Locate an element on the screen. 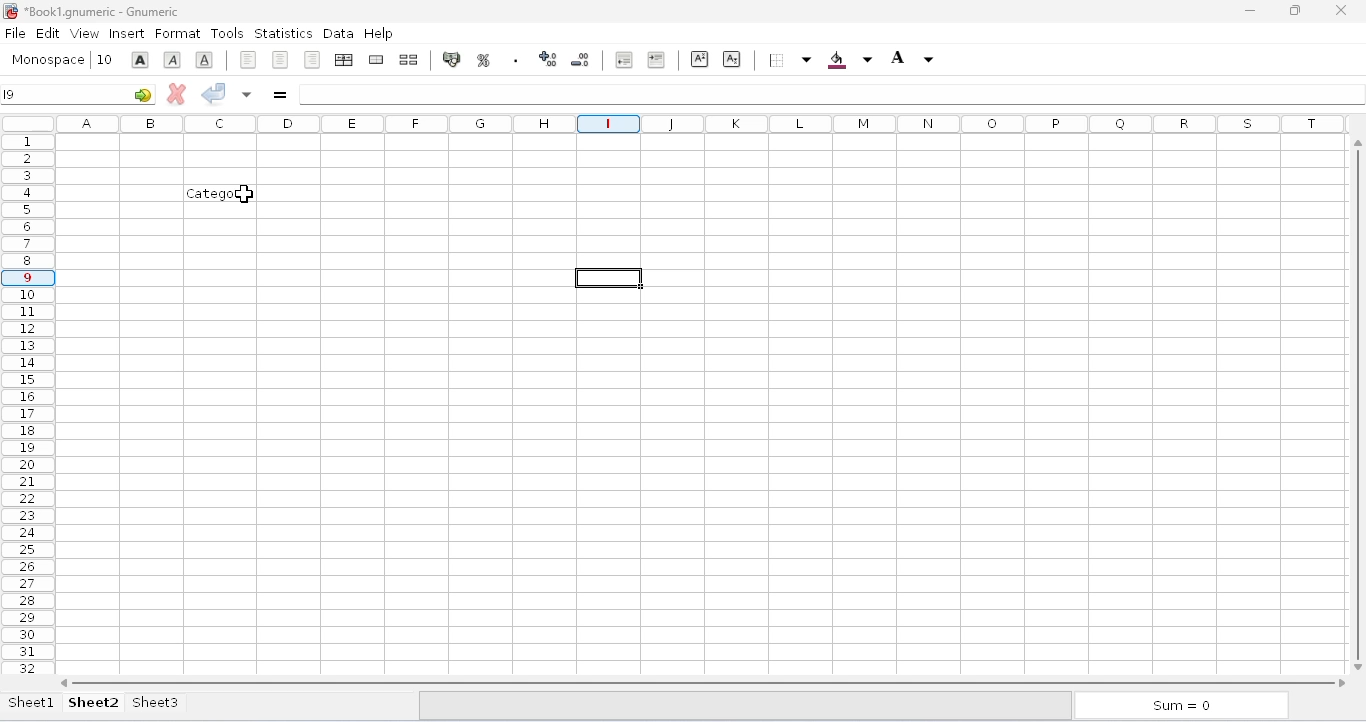 Image resolution: width=1366 pixels, height=722 pixels. increase the number of decimals displayed is located at coordinates (548, 59).